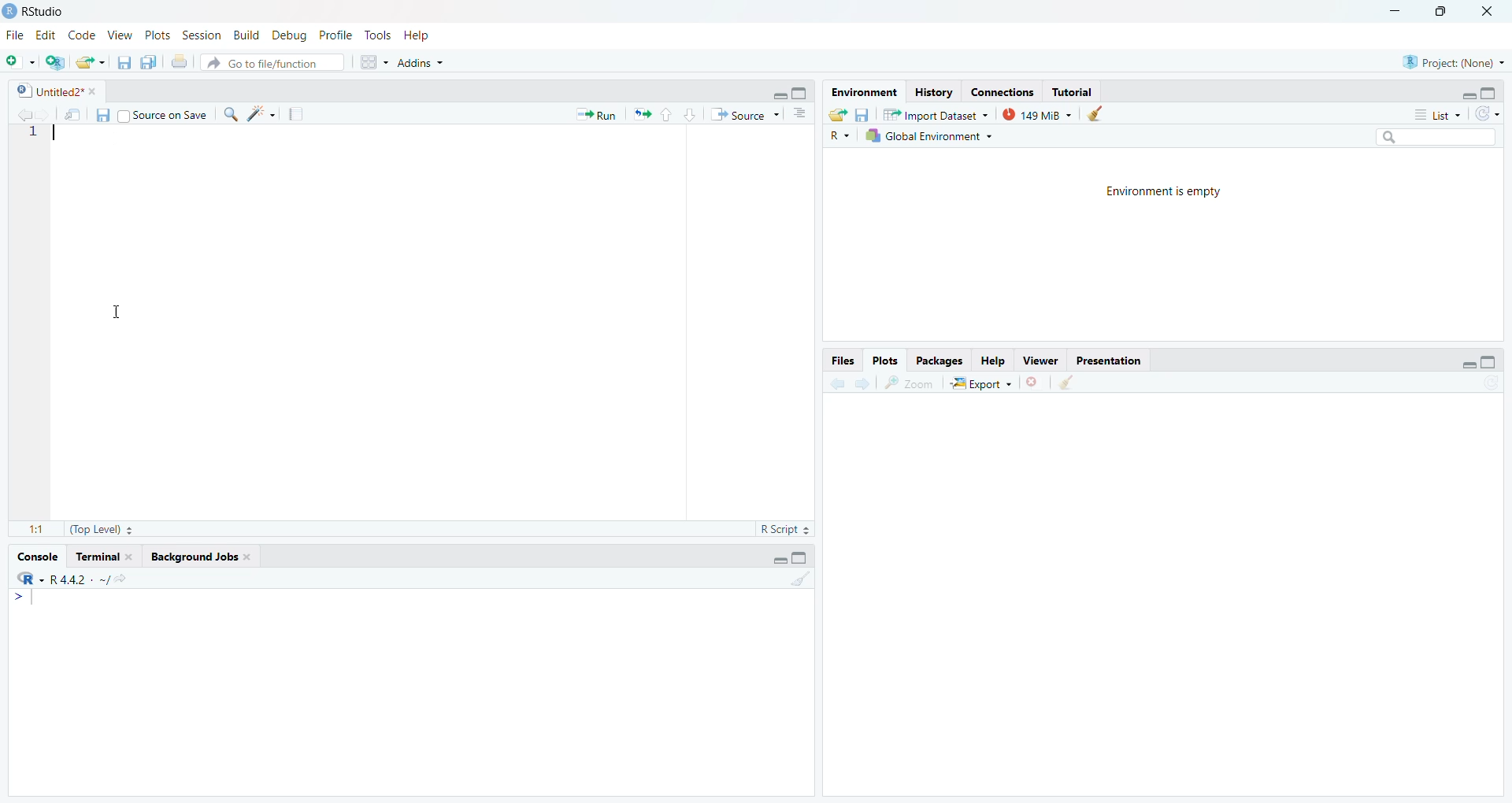 The width and height of the screenshot is (1512, 803). I want to click on File, so click(13, 38).